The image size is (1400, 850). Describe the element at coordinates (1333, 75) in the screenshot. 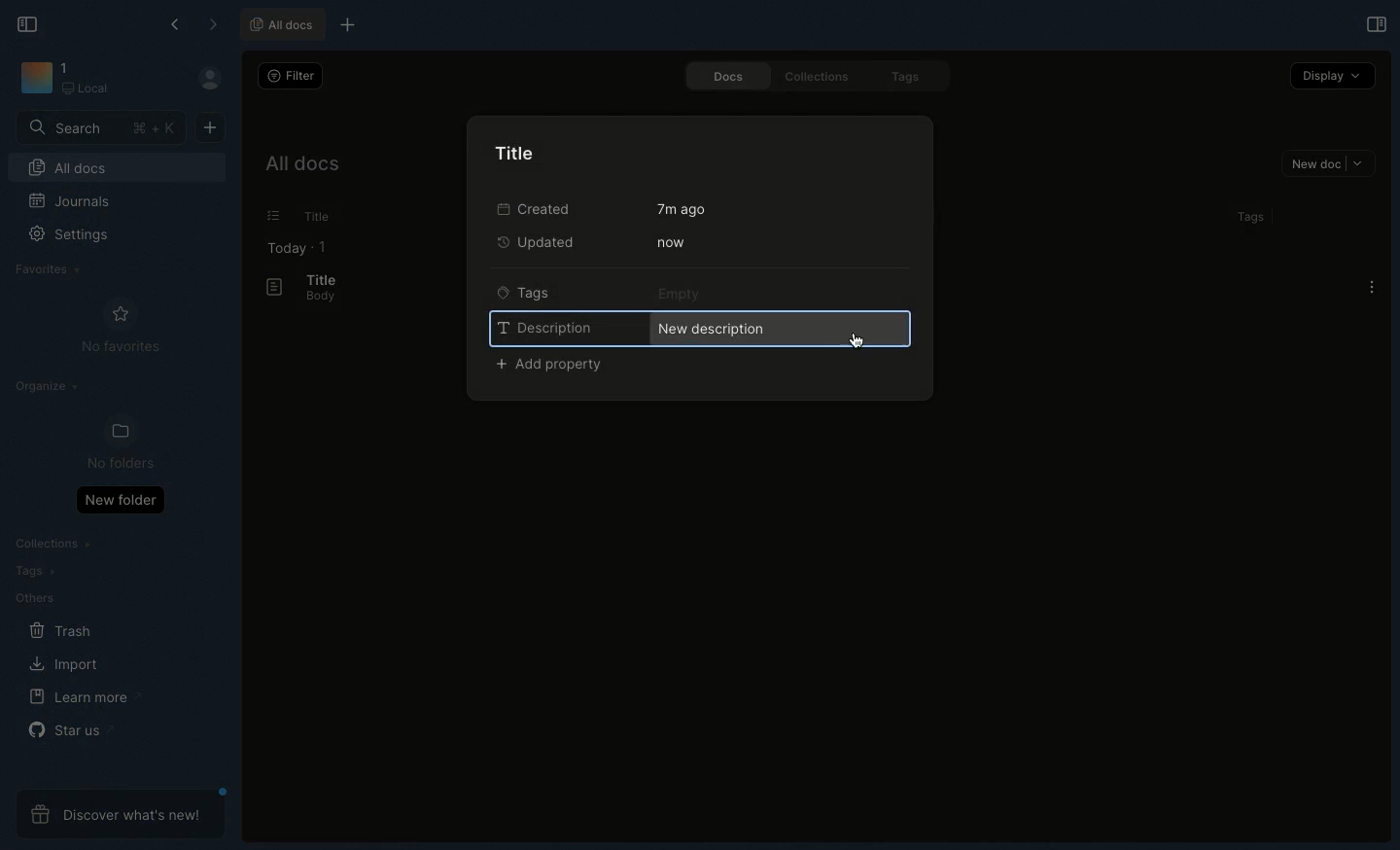

I see `Display` at that location.